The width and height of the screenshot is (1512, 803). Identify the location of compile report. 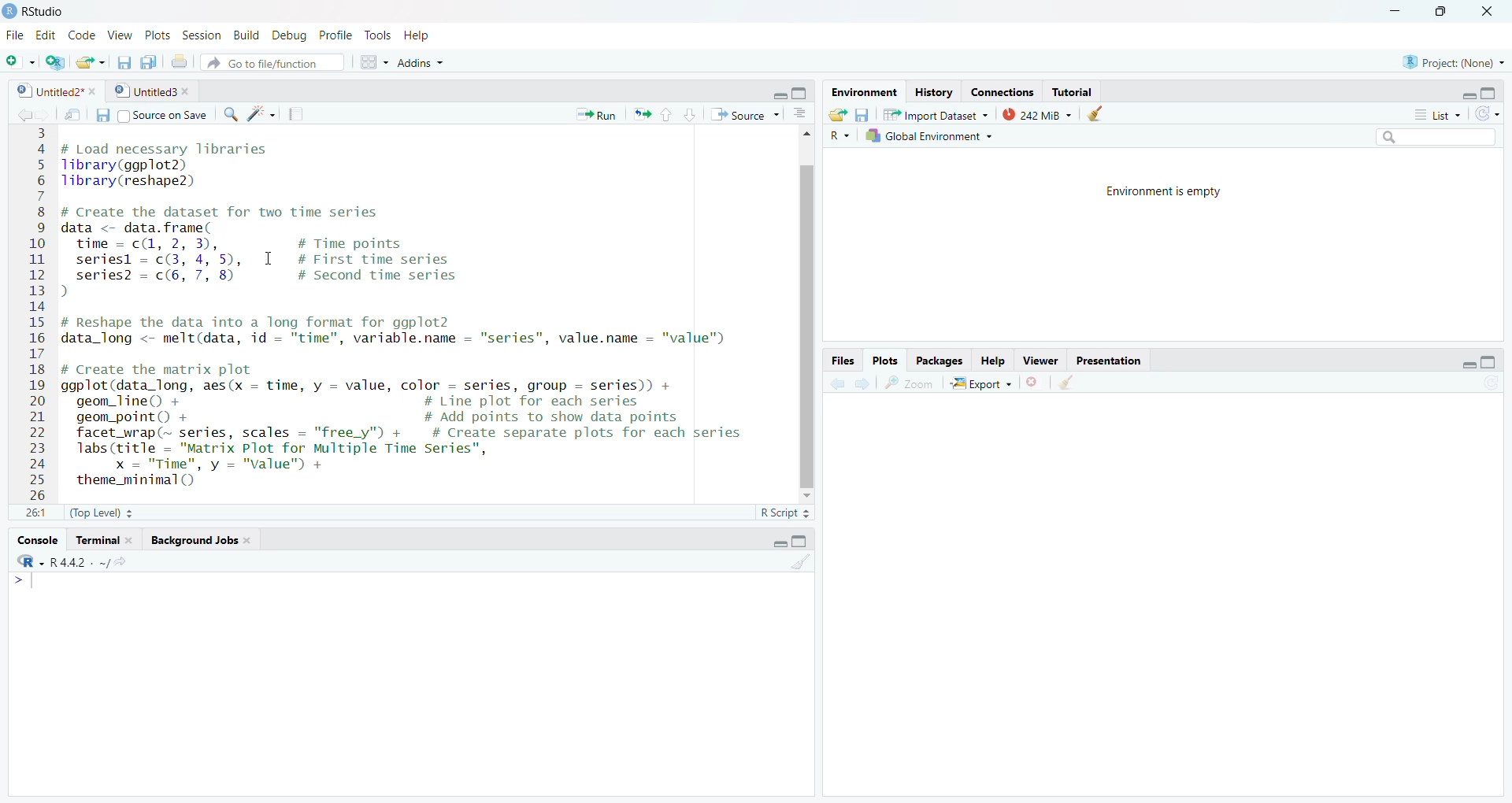
(295, 114).